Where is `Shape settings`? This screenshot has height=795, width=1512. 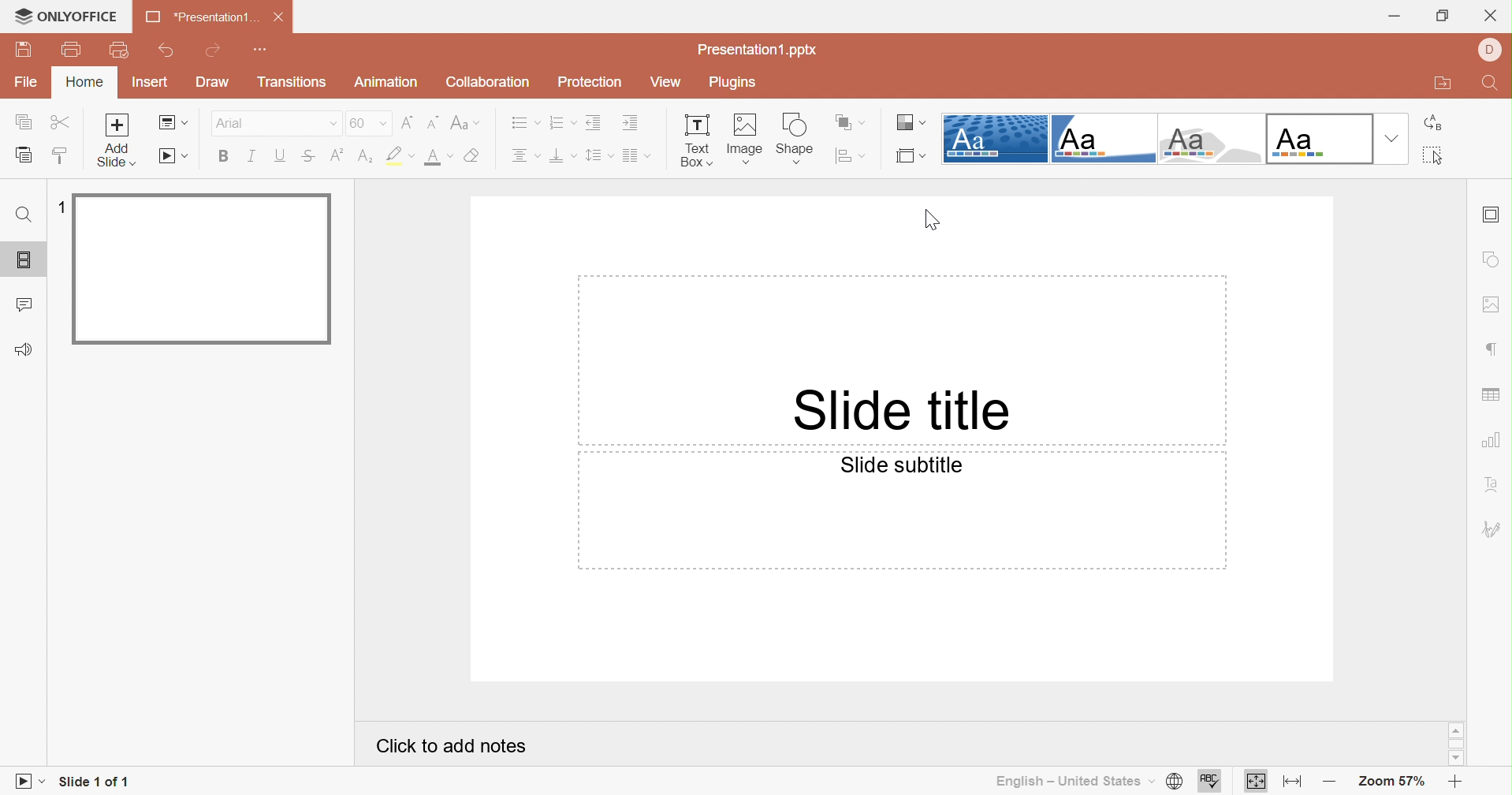
Shape settings is located at coordinates (1494, 260).